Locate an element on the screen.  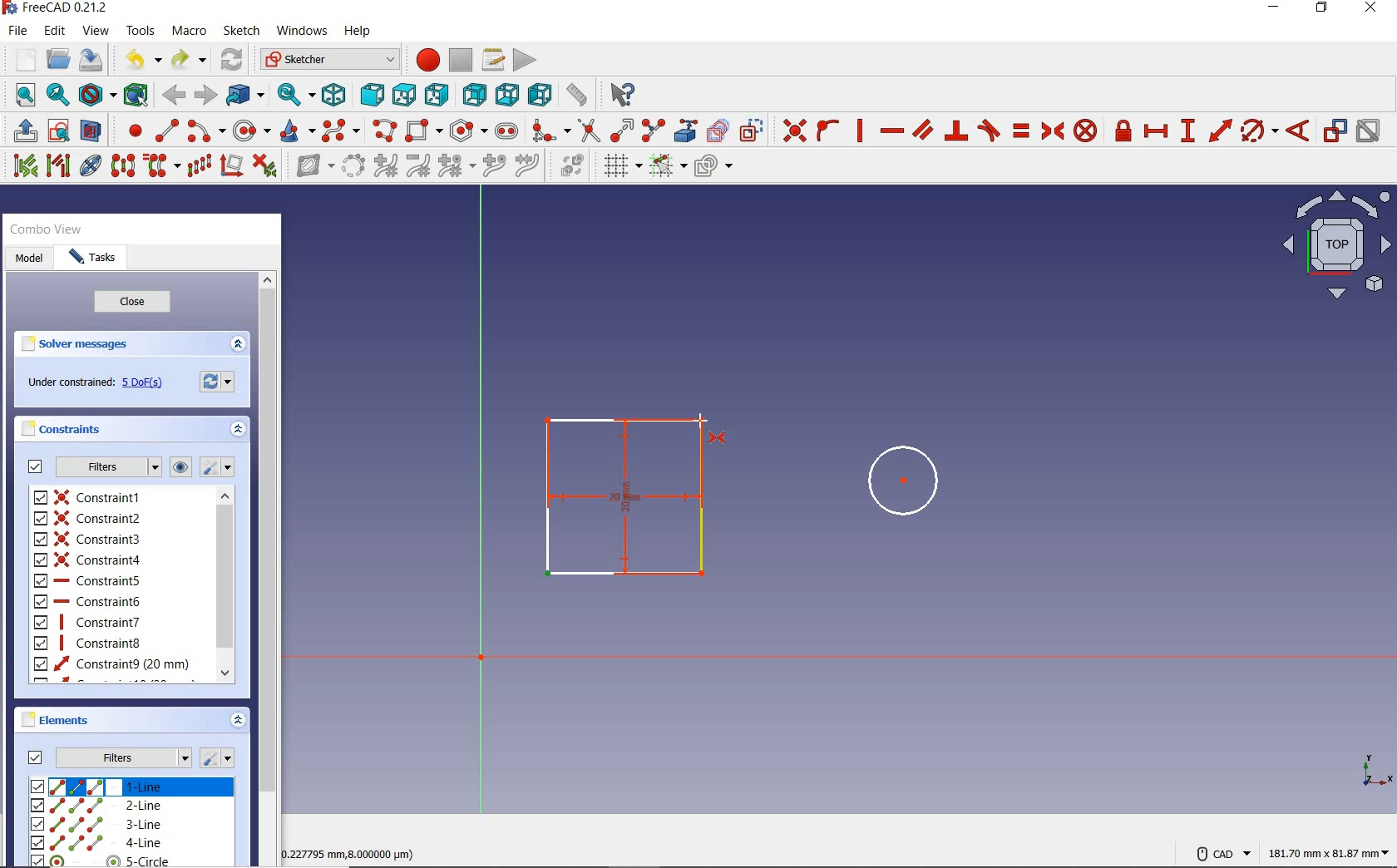
execute macro is located at coordinates (525, 62).